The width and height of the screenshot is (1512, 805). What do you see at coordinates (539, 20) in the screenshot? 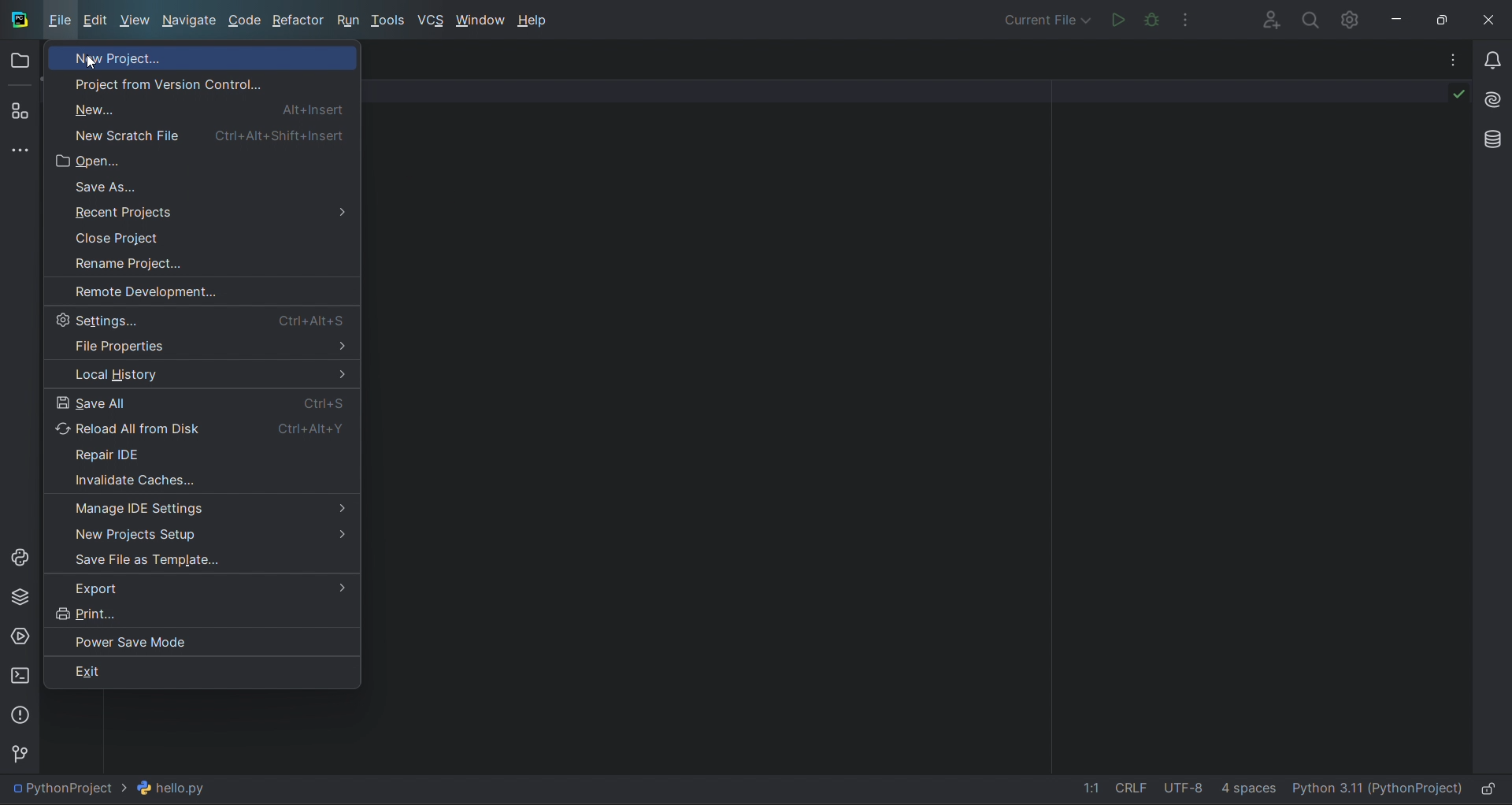
I see `help` at bounding box center [539, 20].